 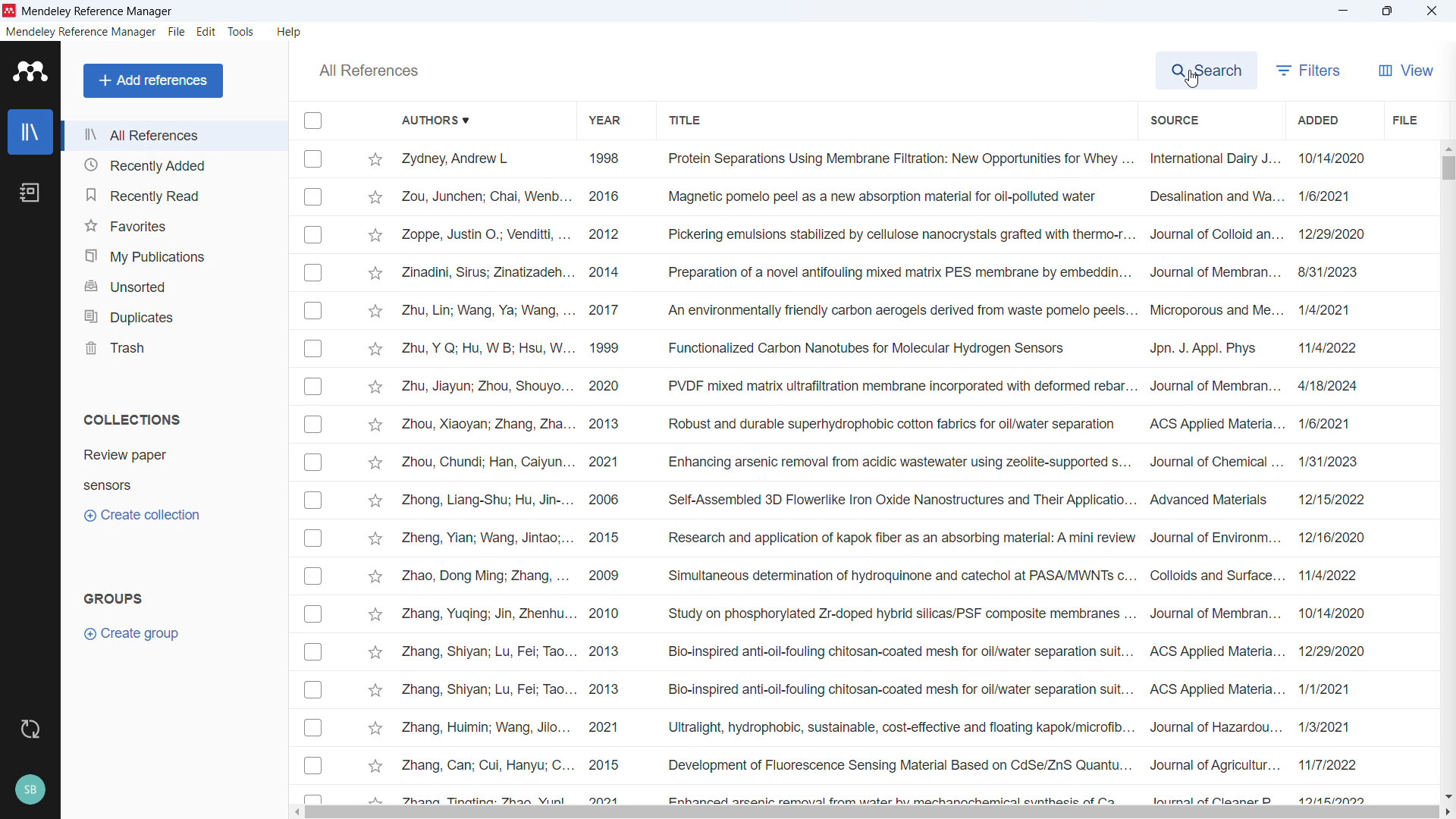 I want to click on year of publication of individual entries , so click(x=604, y=475).